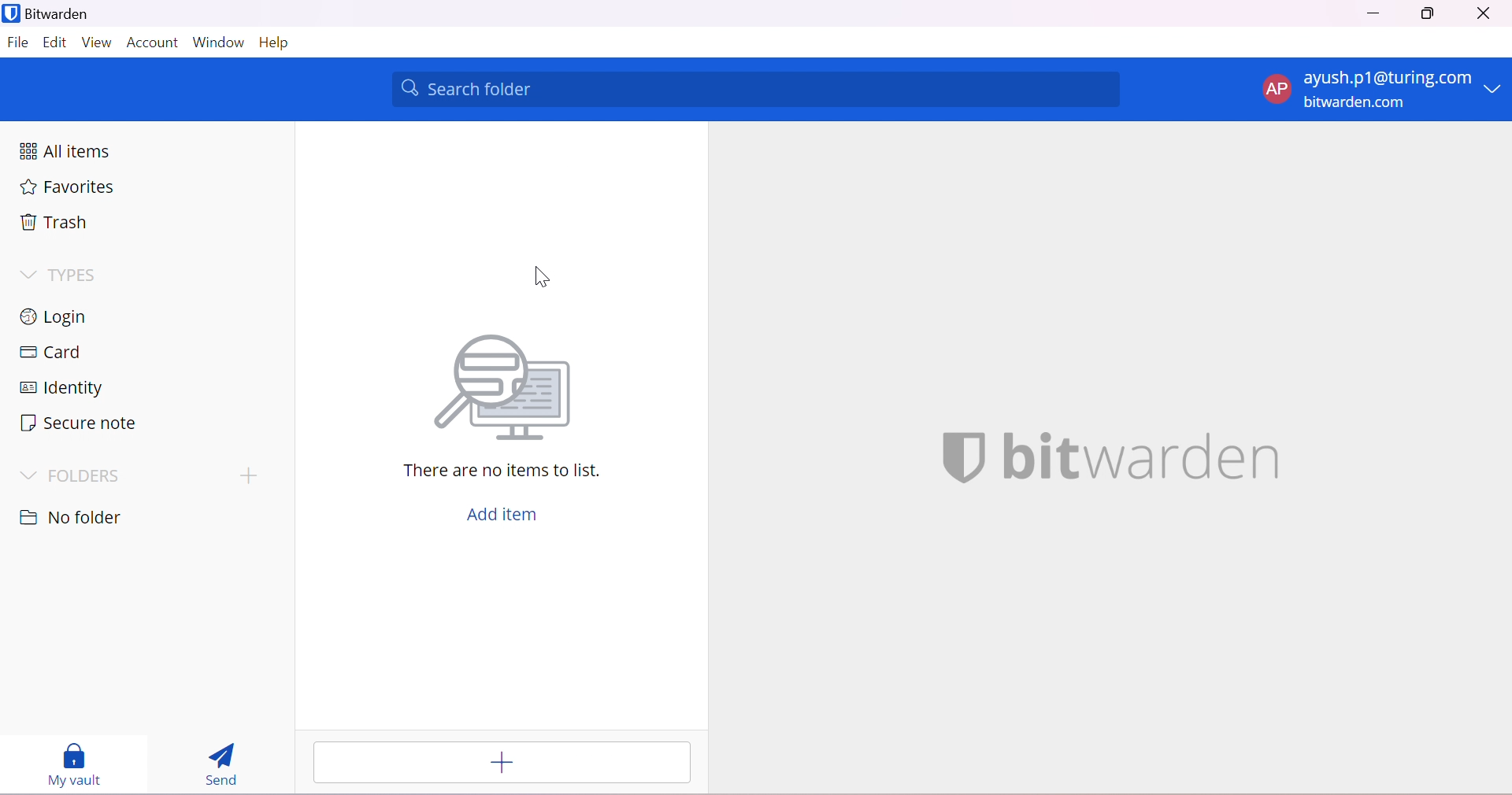 This screenshot has height=795, width=1512. What do you see at coordinates (65, 149) in the screenshot?
I see `All items` at bounding box center [65, 149].